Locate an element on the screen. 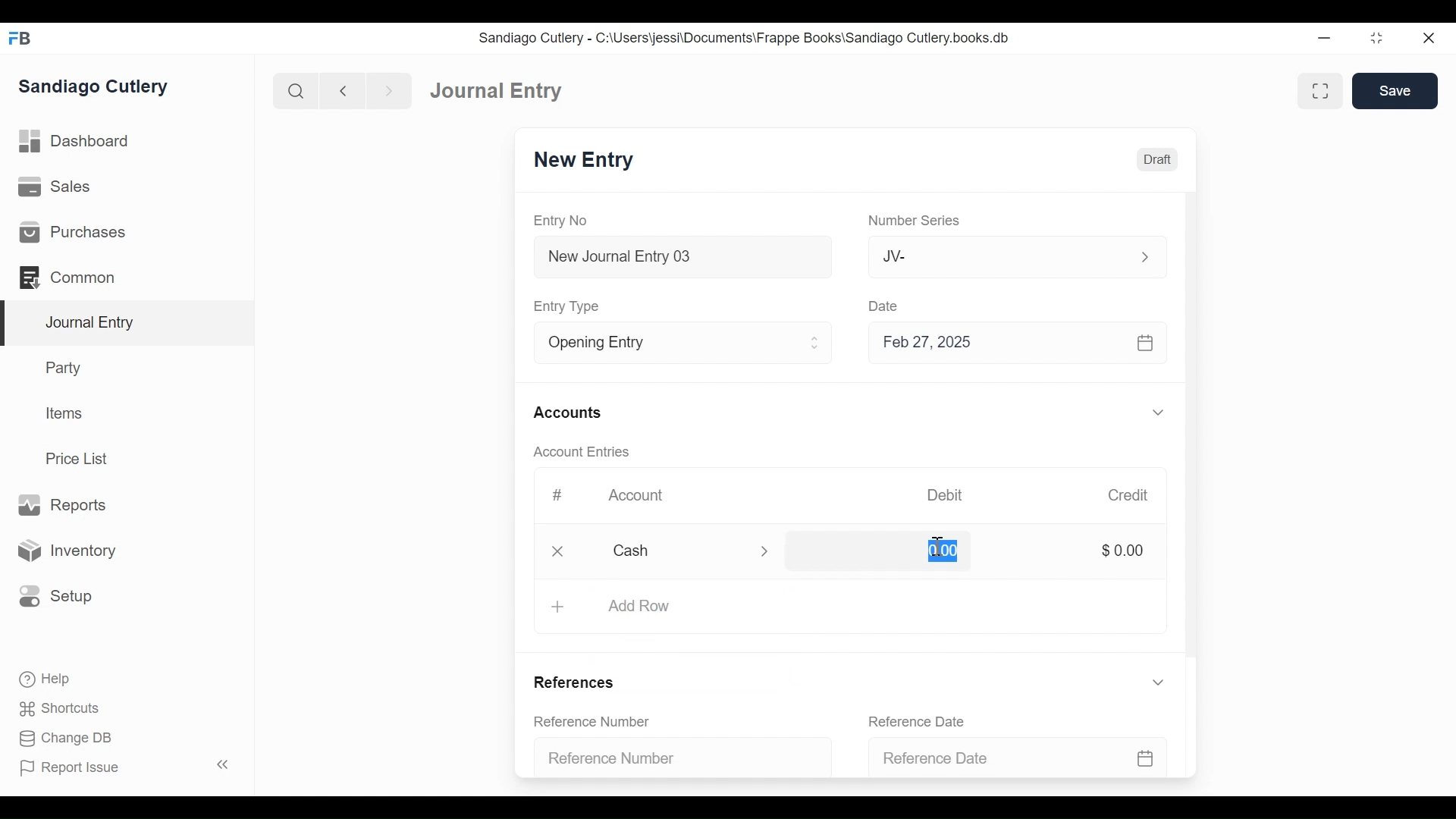 The width and height of the screenshot is (1456, 819). Journal Entry is located at coordinates (498, 91).